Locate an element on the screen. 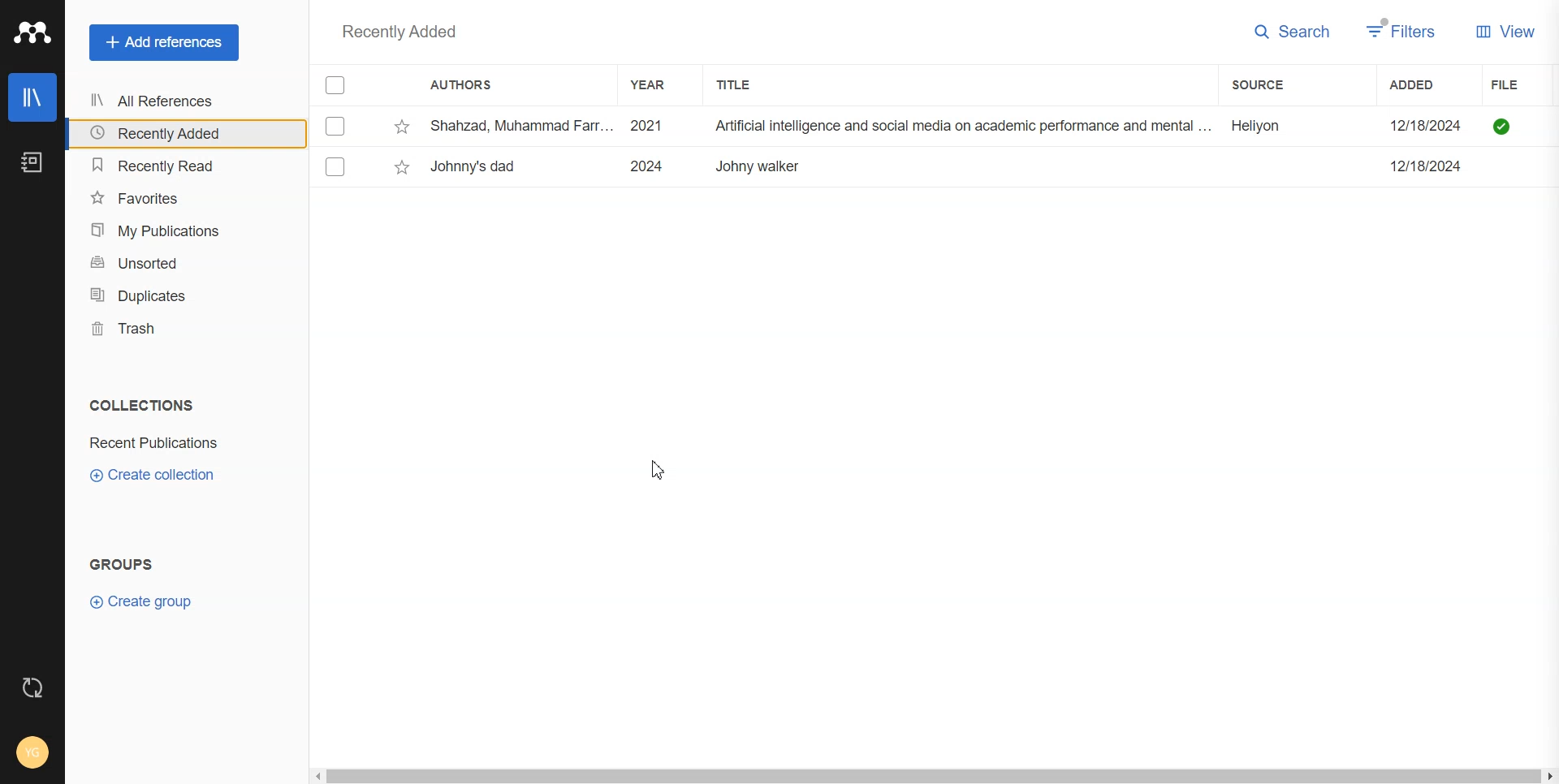 The height and width of the screenshot is (784, 1559). Mark checked is located at coordinates (337, 166).